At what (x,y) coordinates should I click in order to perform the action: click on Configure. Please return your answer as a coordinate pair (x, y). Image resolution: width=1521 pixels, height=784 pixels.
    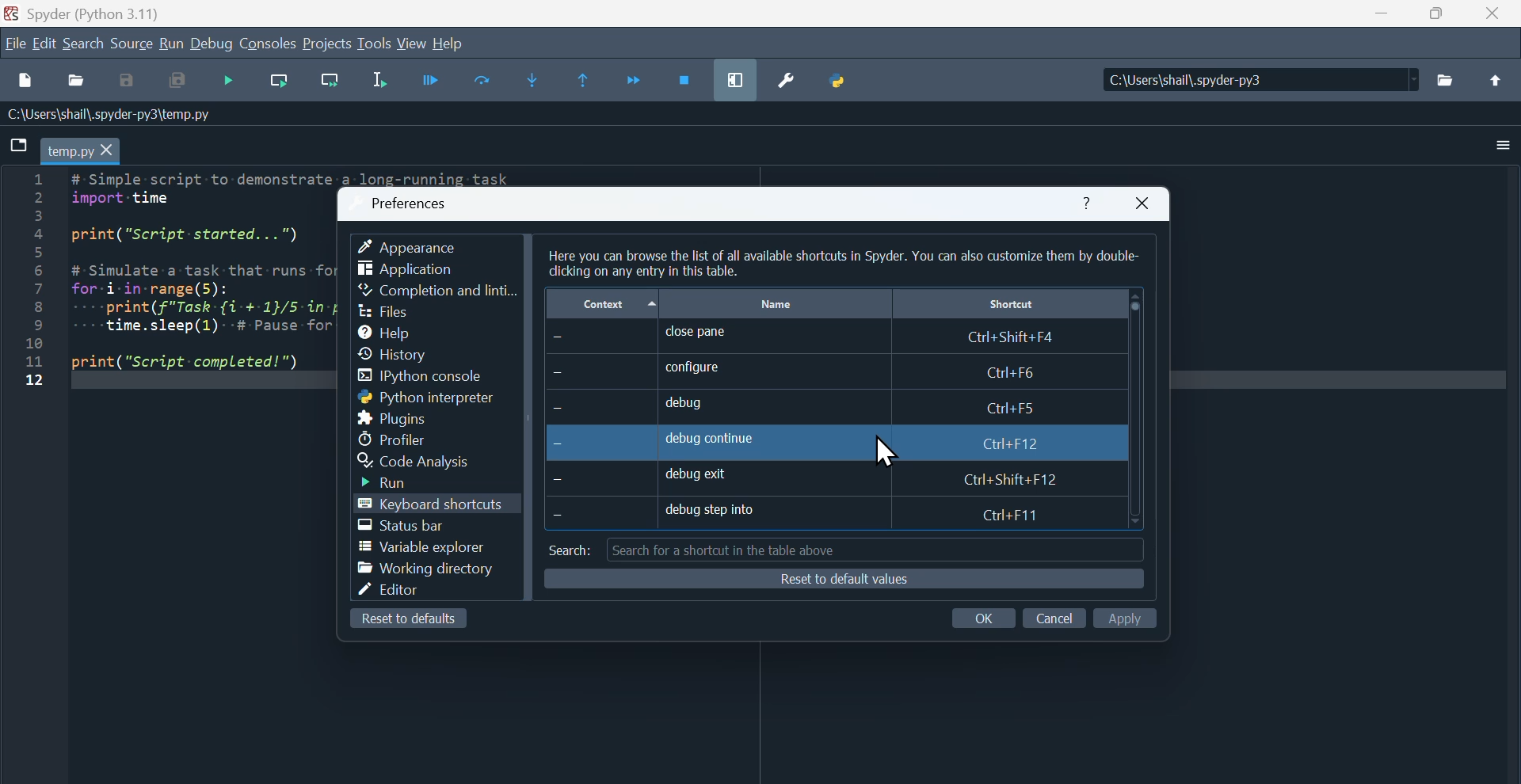
    Looking at the image, I should click on (819, 372).